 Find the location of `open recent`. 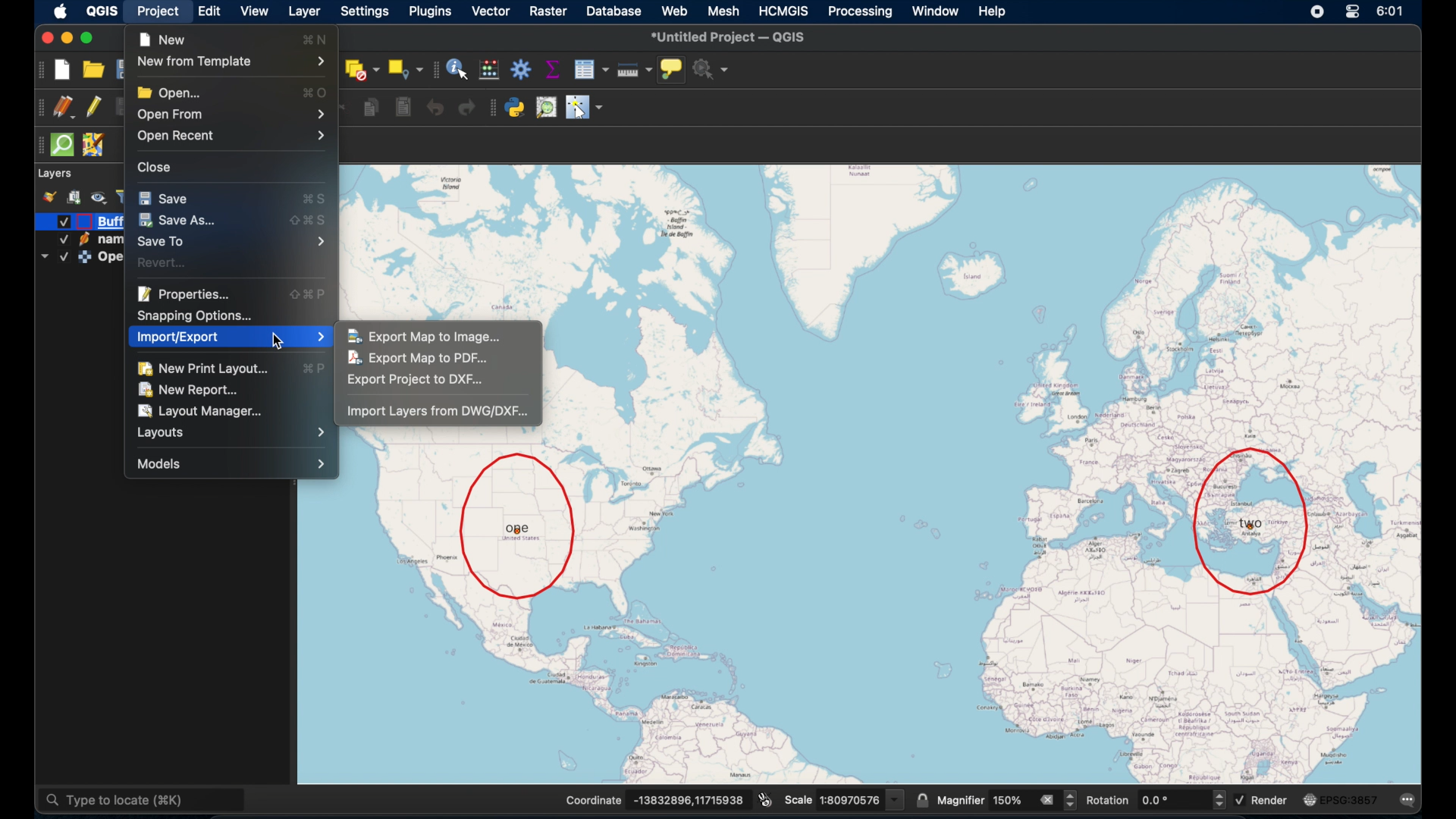

open recent is located at coordinates (234, 138).